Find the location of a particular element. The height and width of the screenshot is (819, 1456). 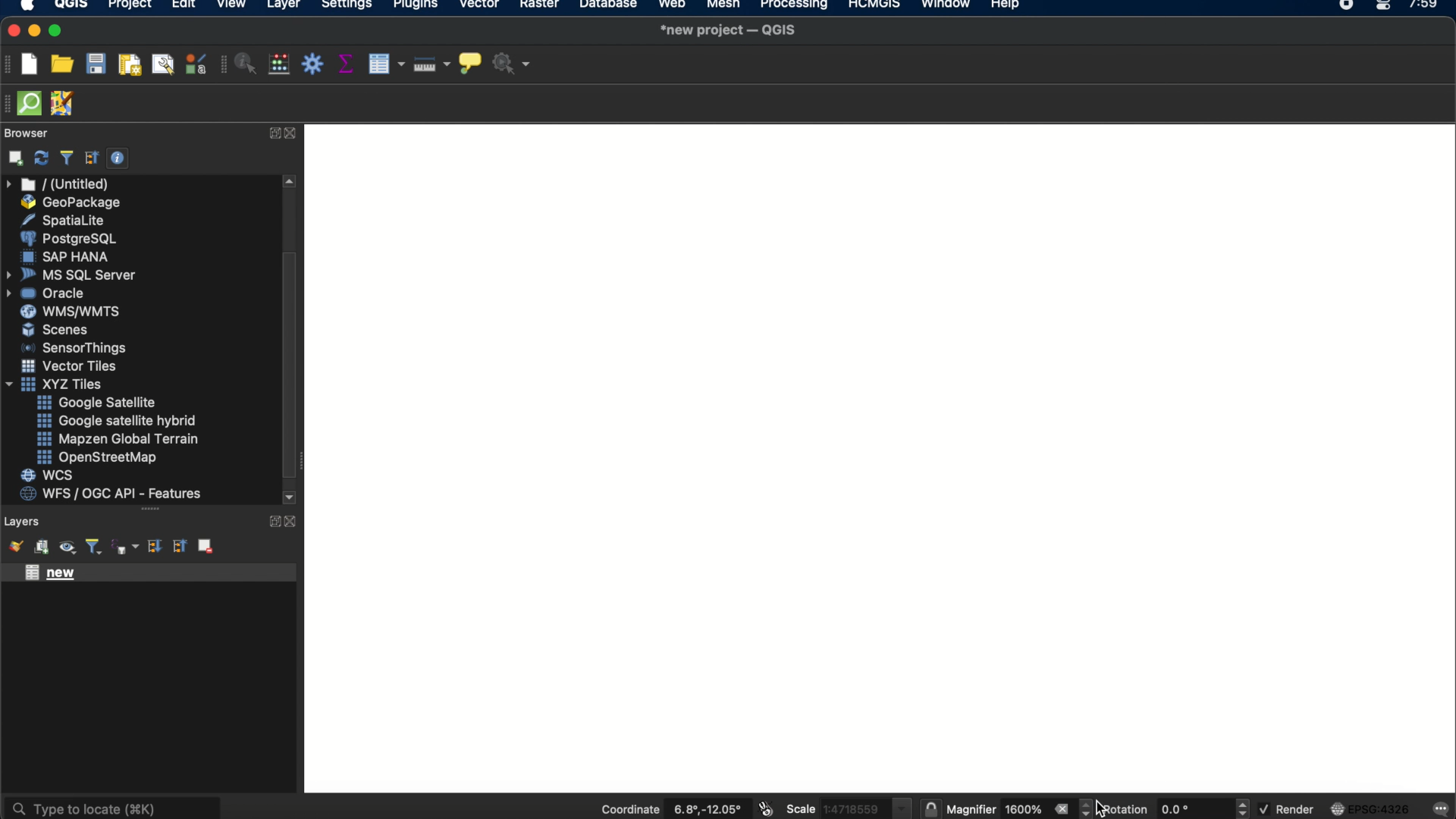

QGIS is located at coordinates (72, 6).